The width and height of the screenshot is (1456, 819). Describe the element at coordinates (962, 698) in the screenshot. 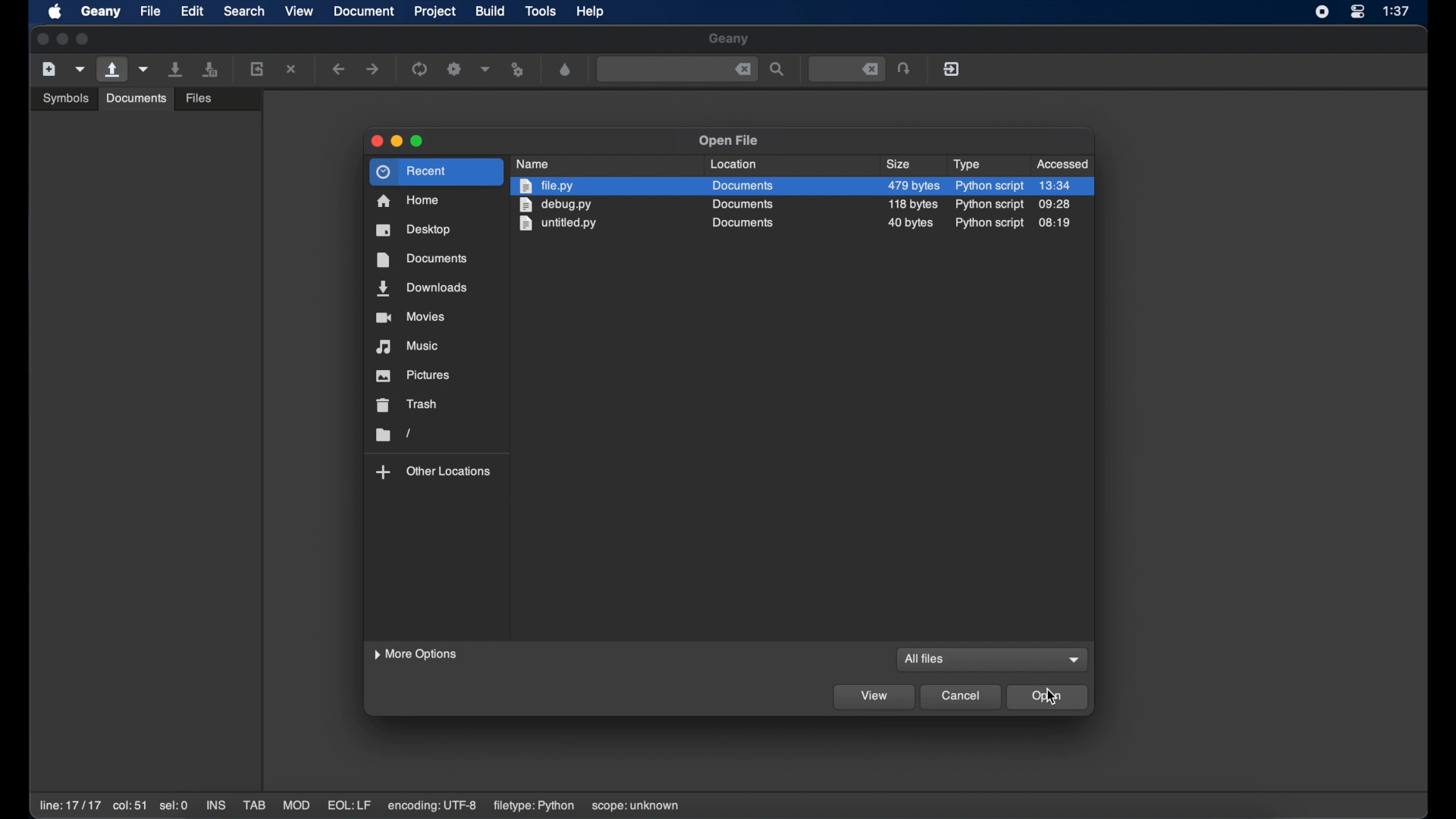

I see `cancel` at that location.